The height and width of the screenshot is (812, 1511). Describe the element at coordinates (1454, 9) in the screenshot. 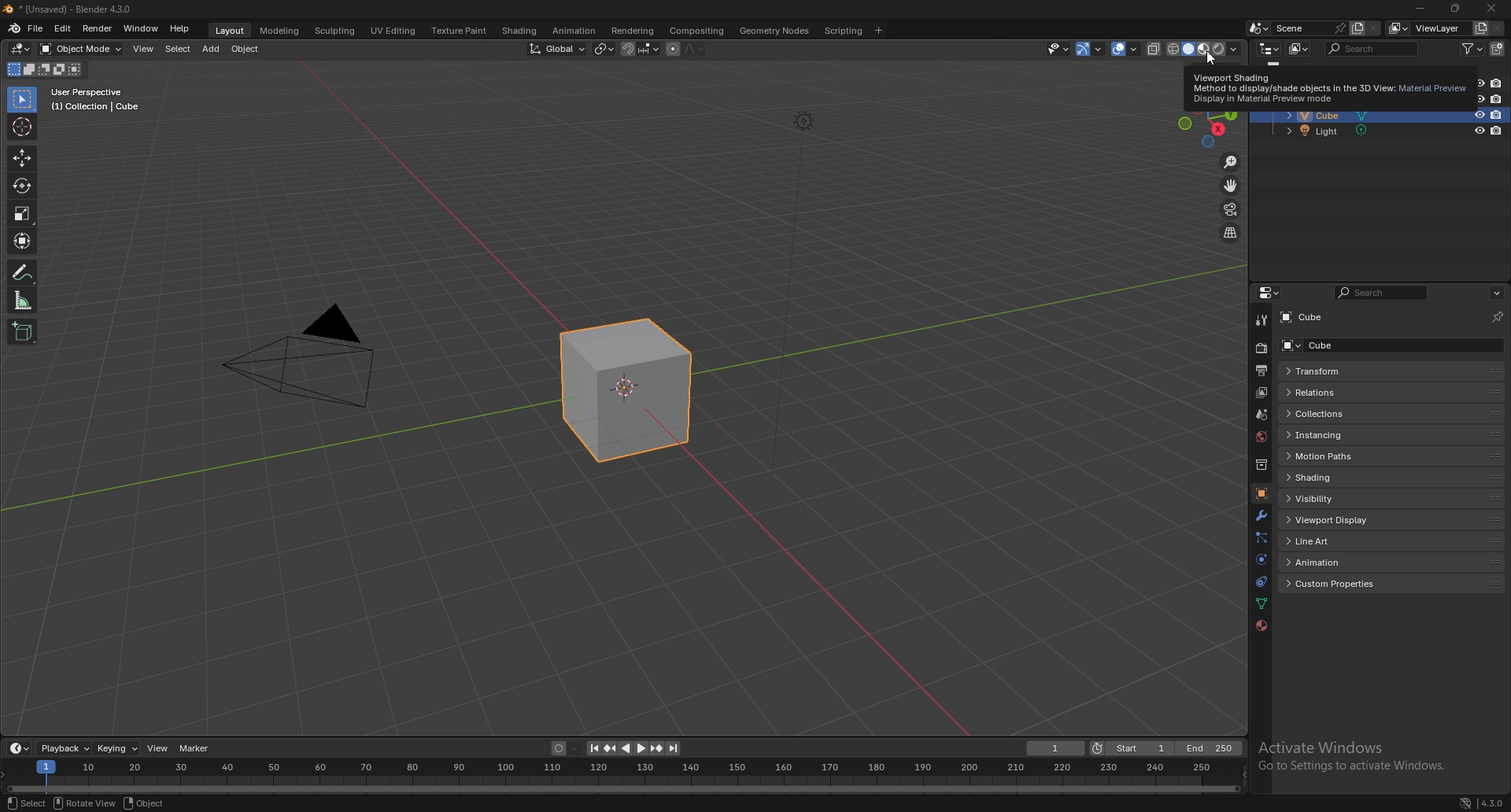

I see `resize` at that location.